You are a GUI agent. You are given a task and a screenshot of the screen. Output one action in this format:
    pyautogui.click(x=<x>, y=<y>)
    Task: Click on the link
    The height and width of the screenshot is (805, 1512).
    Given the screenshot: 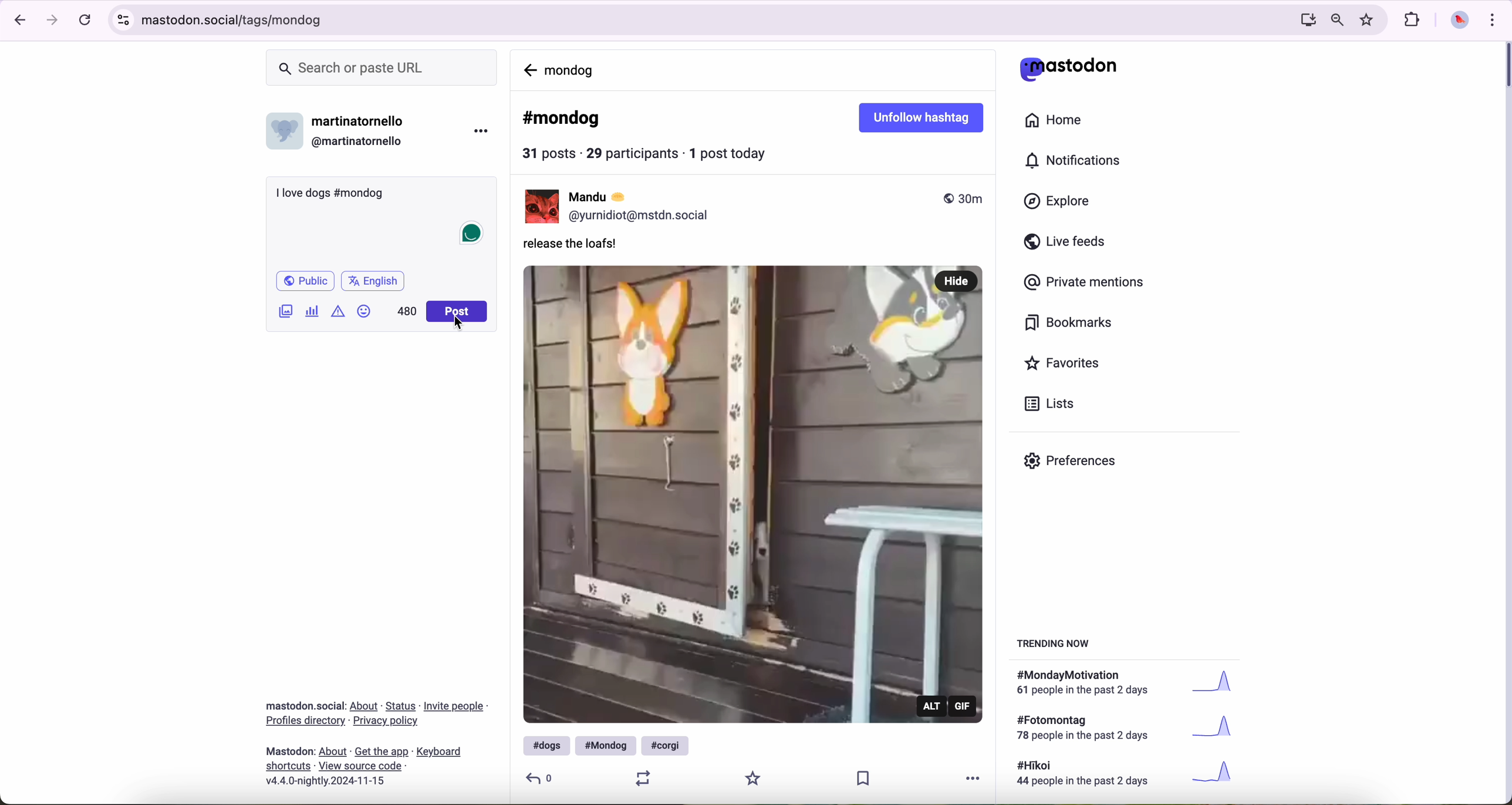 What is the action you would take?
    pyautogui.click(x=455, y=708)
    